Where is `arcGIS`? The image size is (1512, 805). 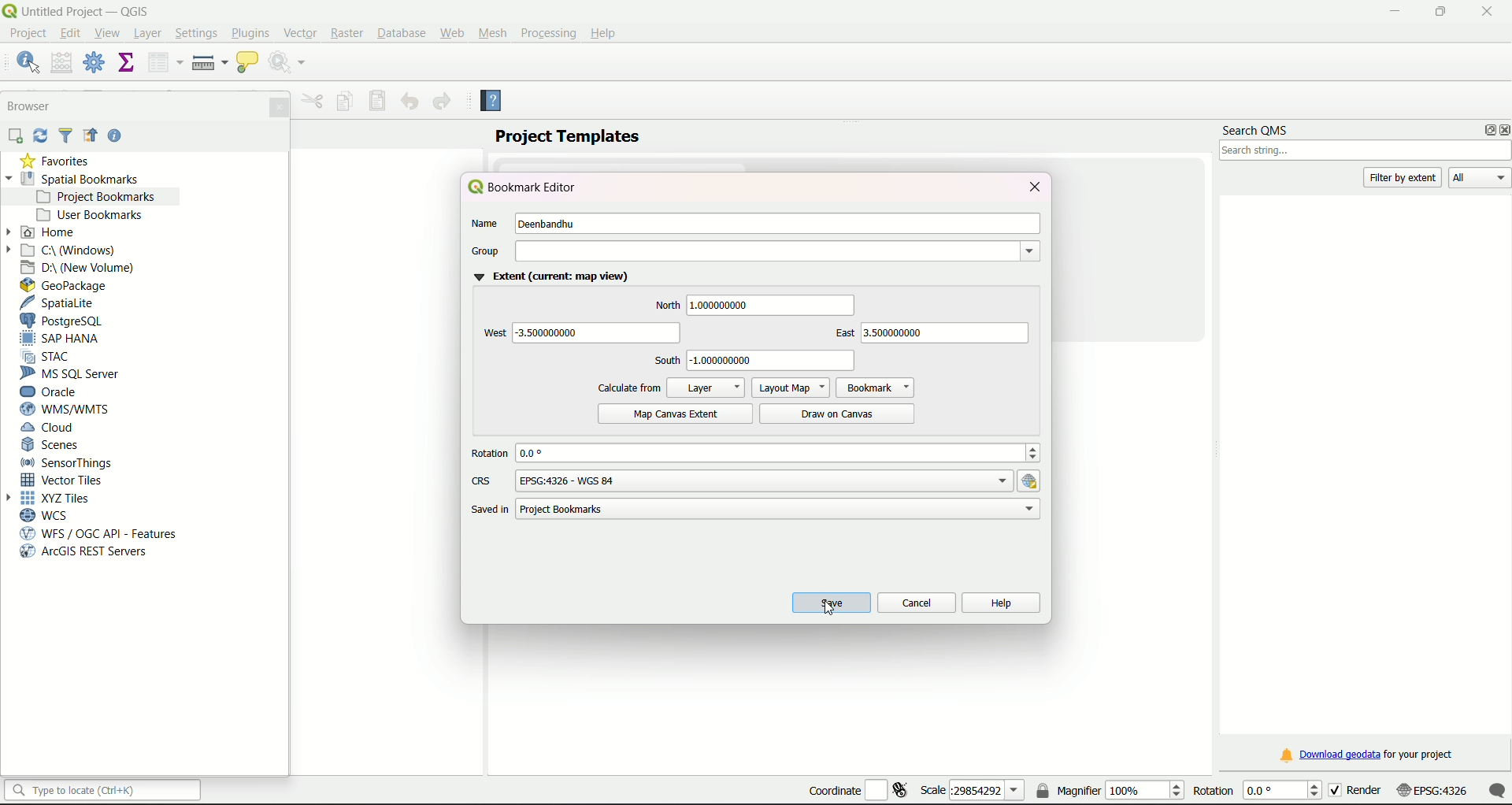 arcGIS is located at coordinates (84, 553).